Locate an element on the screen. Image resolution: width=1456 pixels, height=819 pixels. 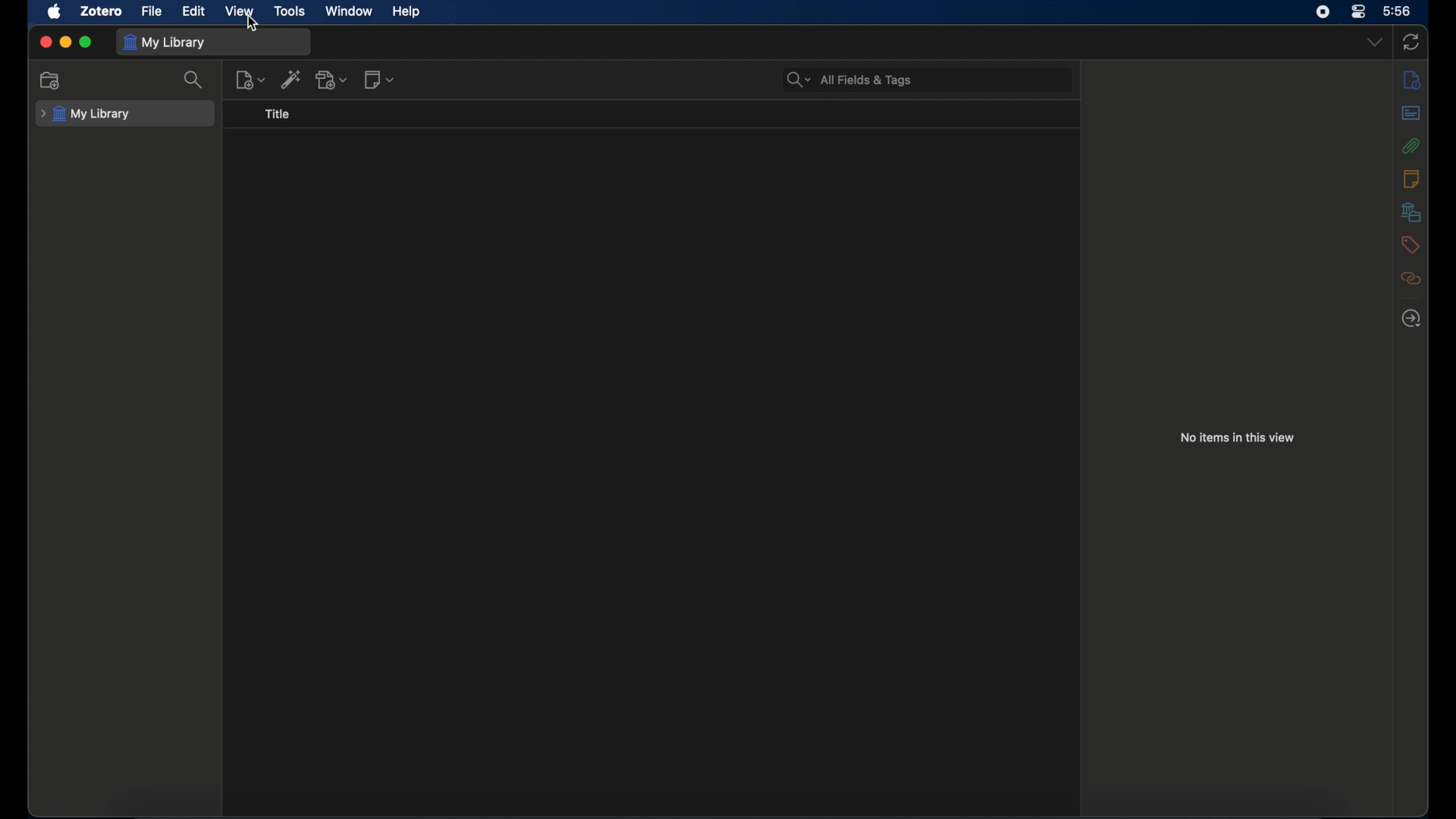
cursor is located at coordinates (256, 23).